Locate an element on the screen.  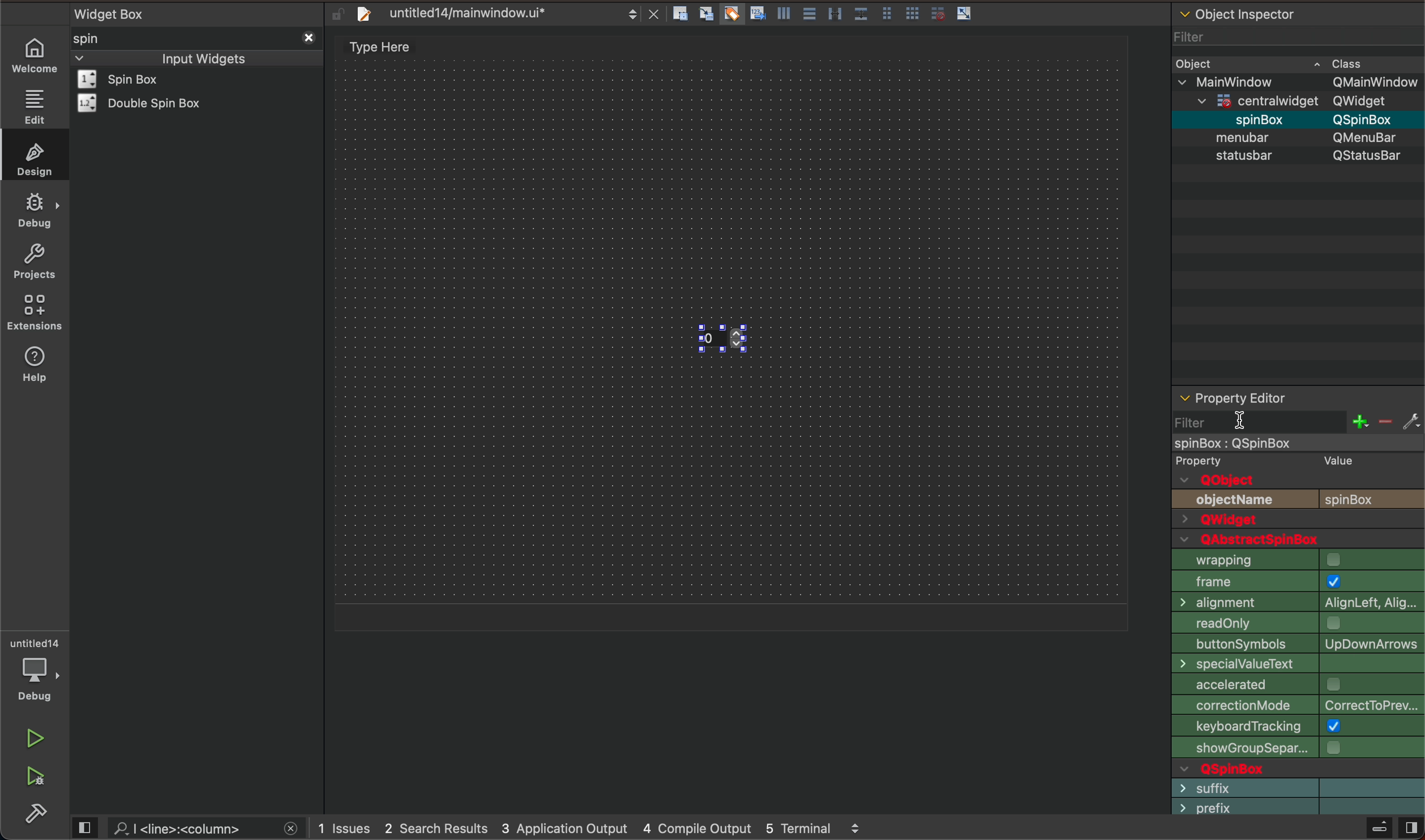
spin is located at coordinates (105, 38).